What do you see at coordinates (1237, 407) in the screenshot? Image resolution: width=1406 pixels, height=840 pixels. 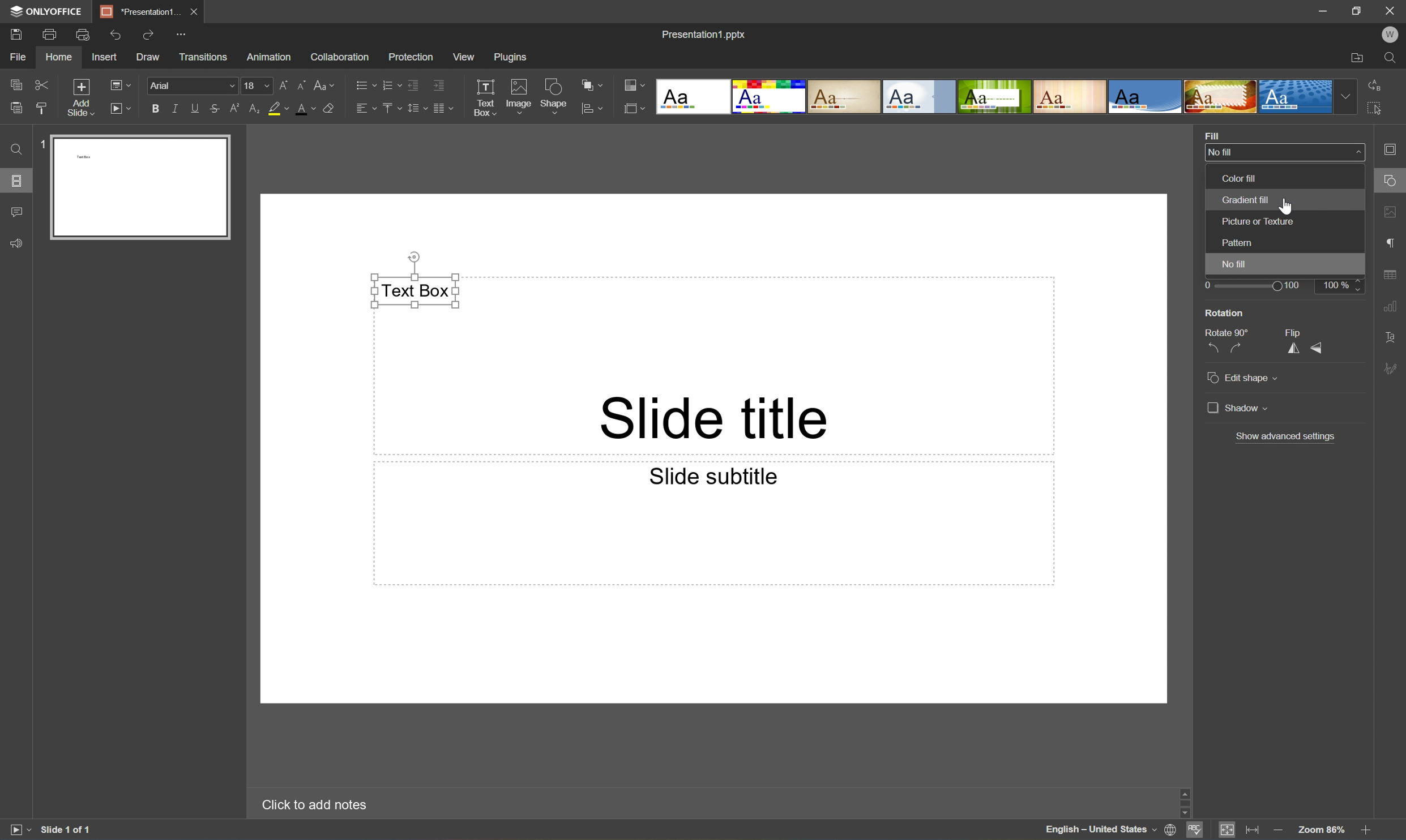 I see `Shadow` at bounding box center [1237, 407].